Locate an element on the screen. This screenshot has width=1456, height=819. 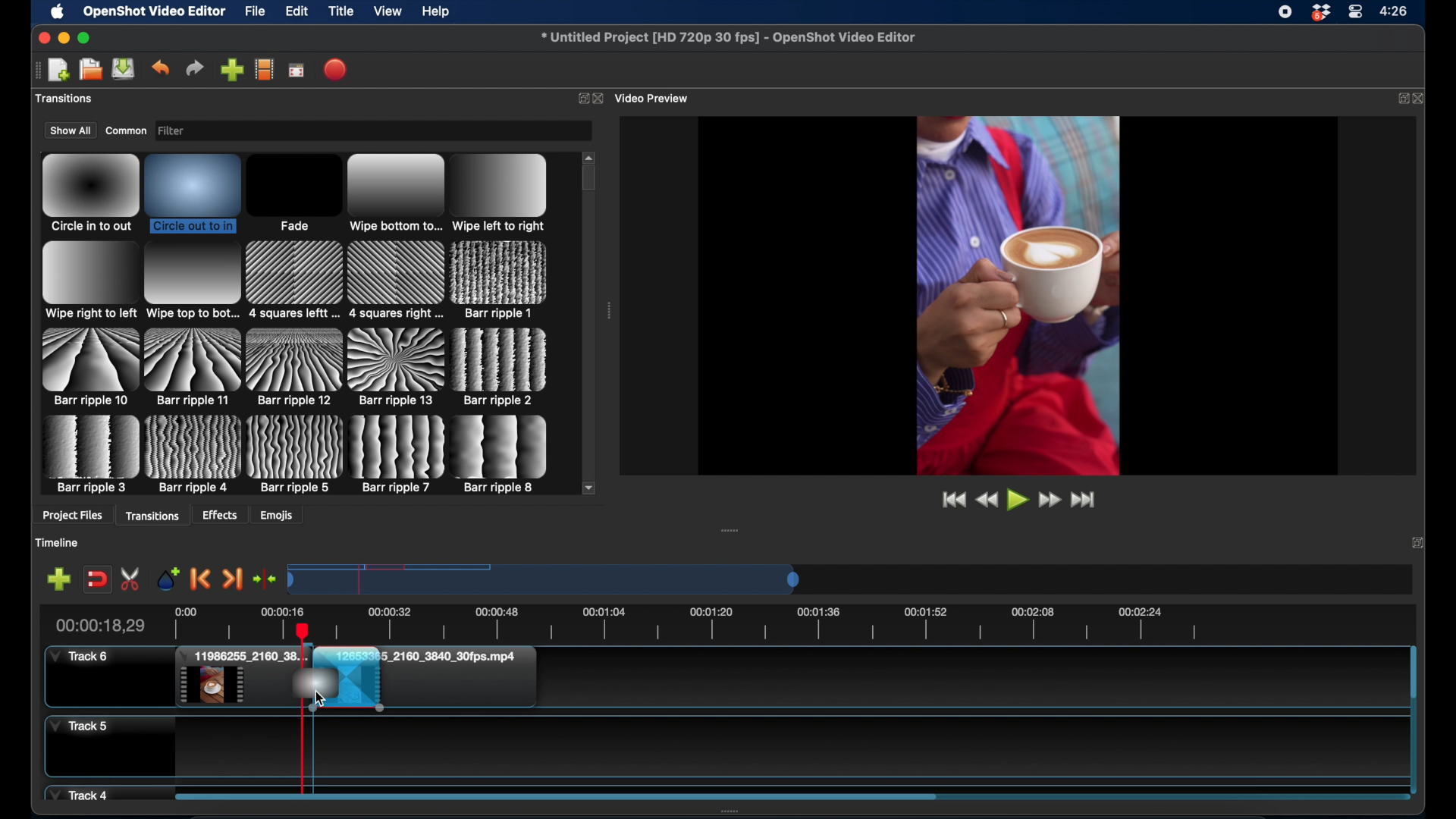
add marker is located at coordinates (58, 579).